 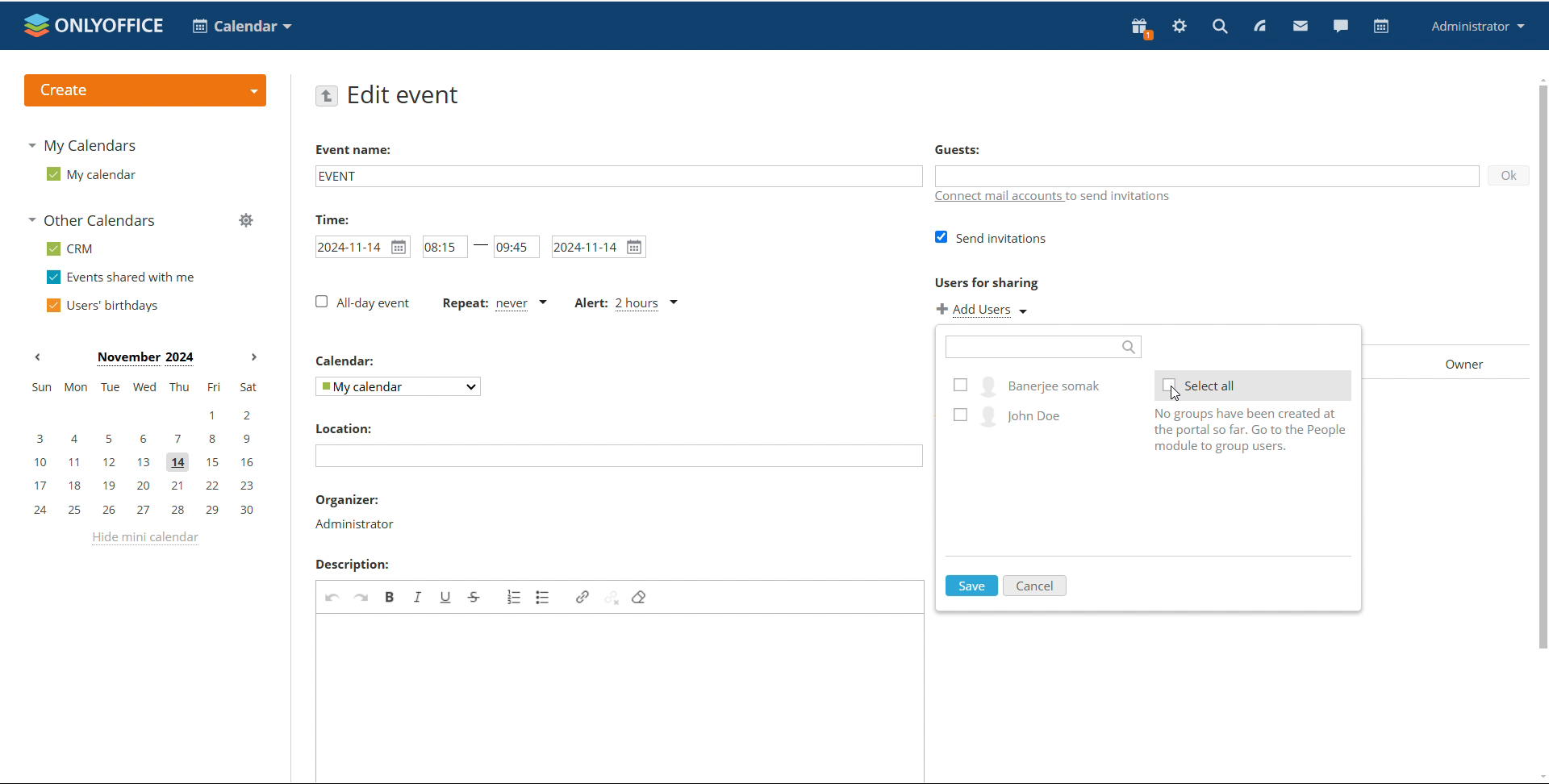 What do you see at coordinates (1382, 27) in the screenshot?
I see `calendar` at bounding box center [1382, 27].